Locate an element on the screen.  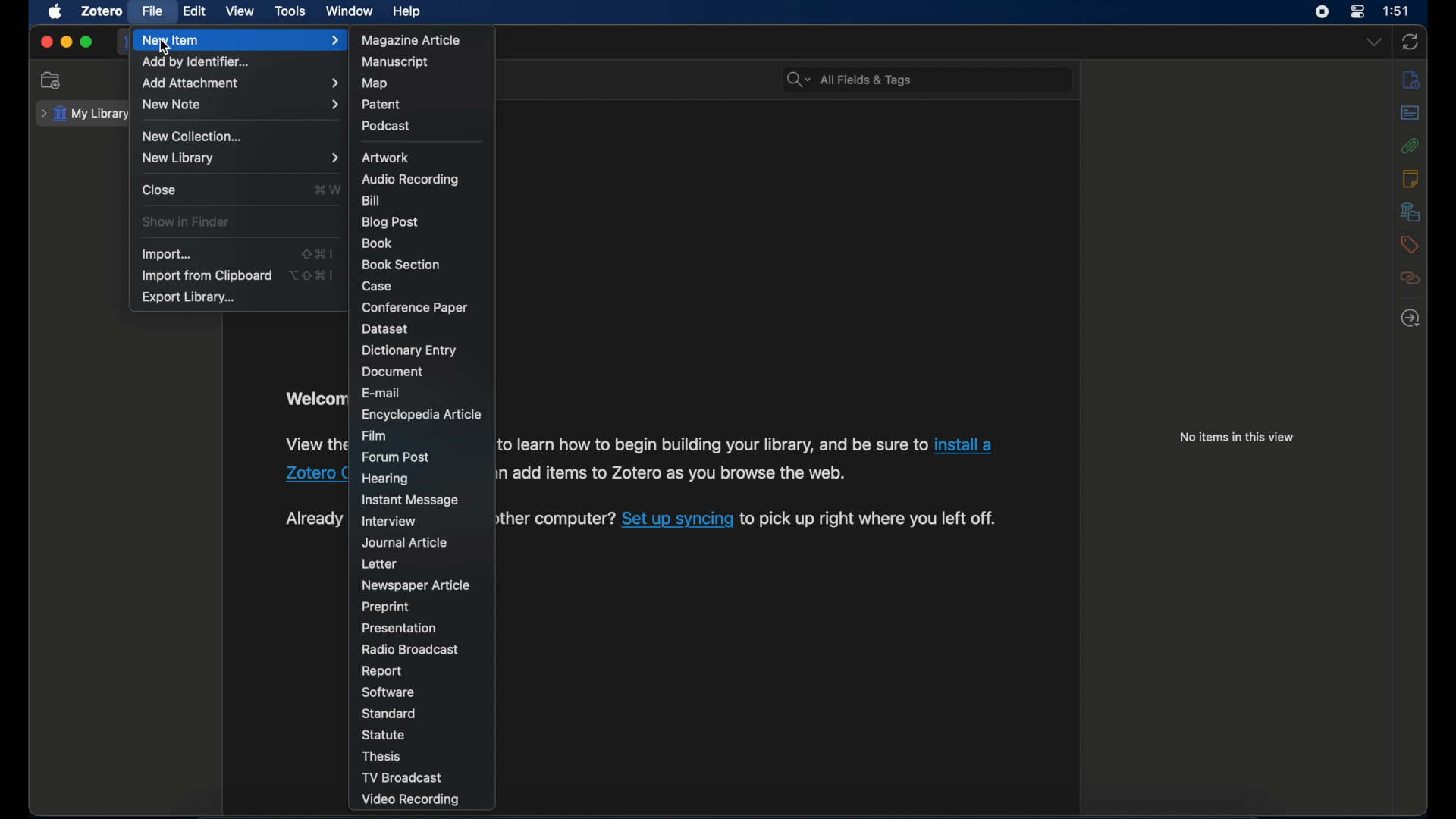
blog post is located at coordinates (388, 222).